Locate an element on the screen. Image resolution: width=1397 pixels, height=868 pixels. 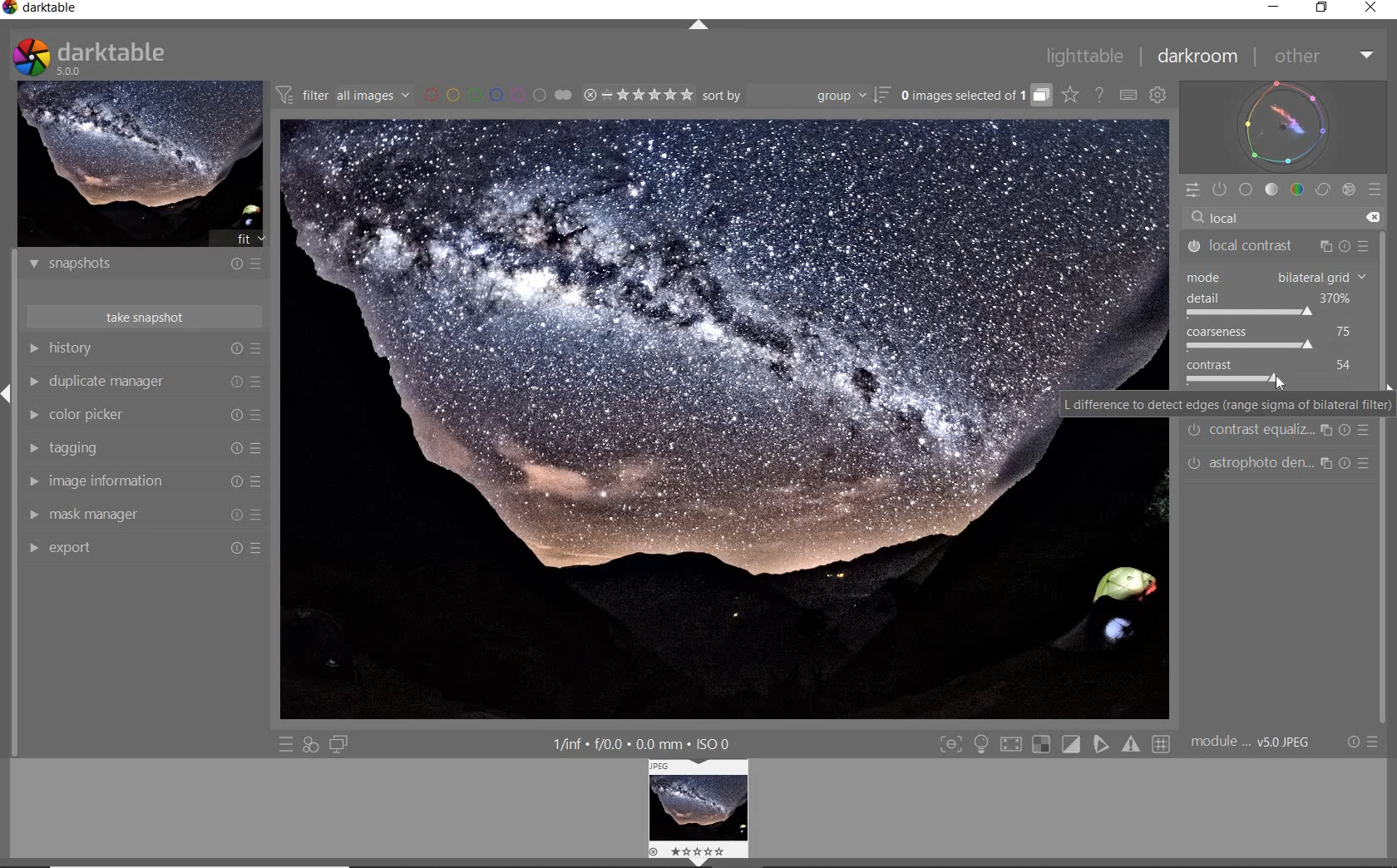
Presets and preferences is located at coordinates (259, 378).